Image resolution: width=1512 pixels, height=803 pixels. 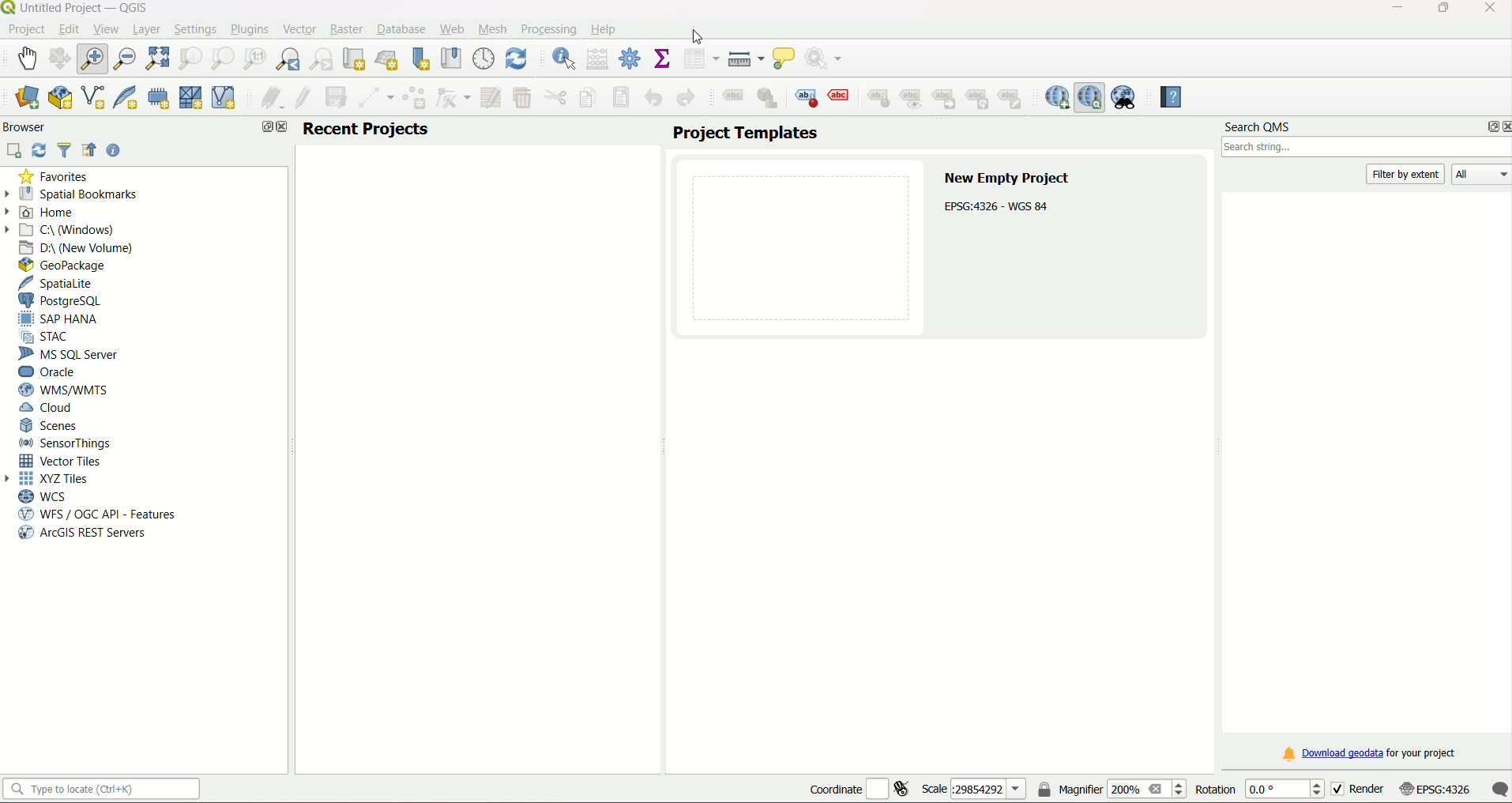 What do you see at coordinates (491, 96) in the screenshot?
I see `modify attributes` at bounding box center [491, 96].